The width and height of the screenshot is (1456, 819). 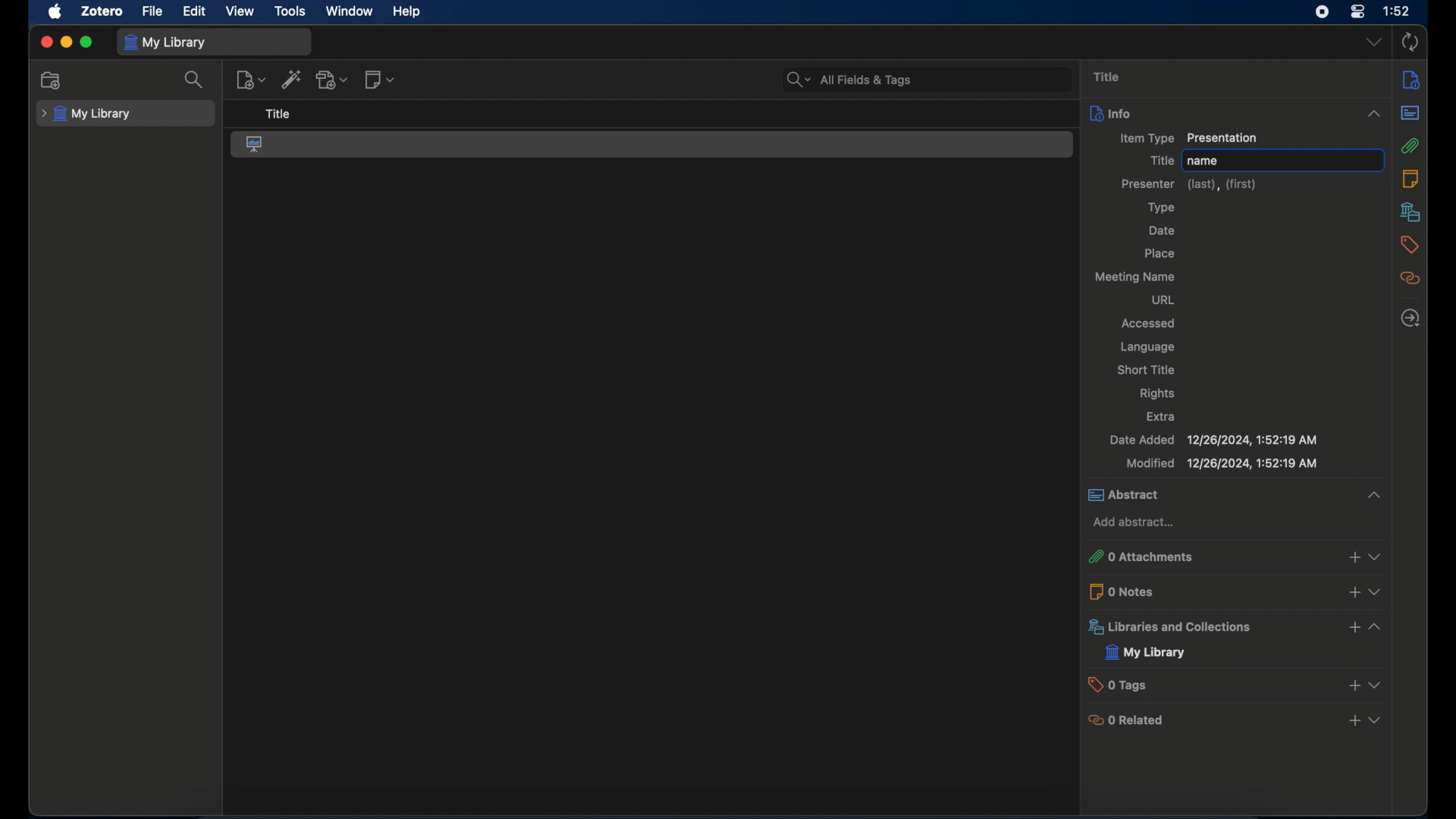 What do you see at coordinates (1234, 557) in the screenshot?
I see `0 attachments` at bounding box center [1234, 557].